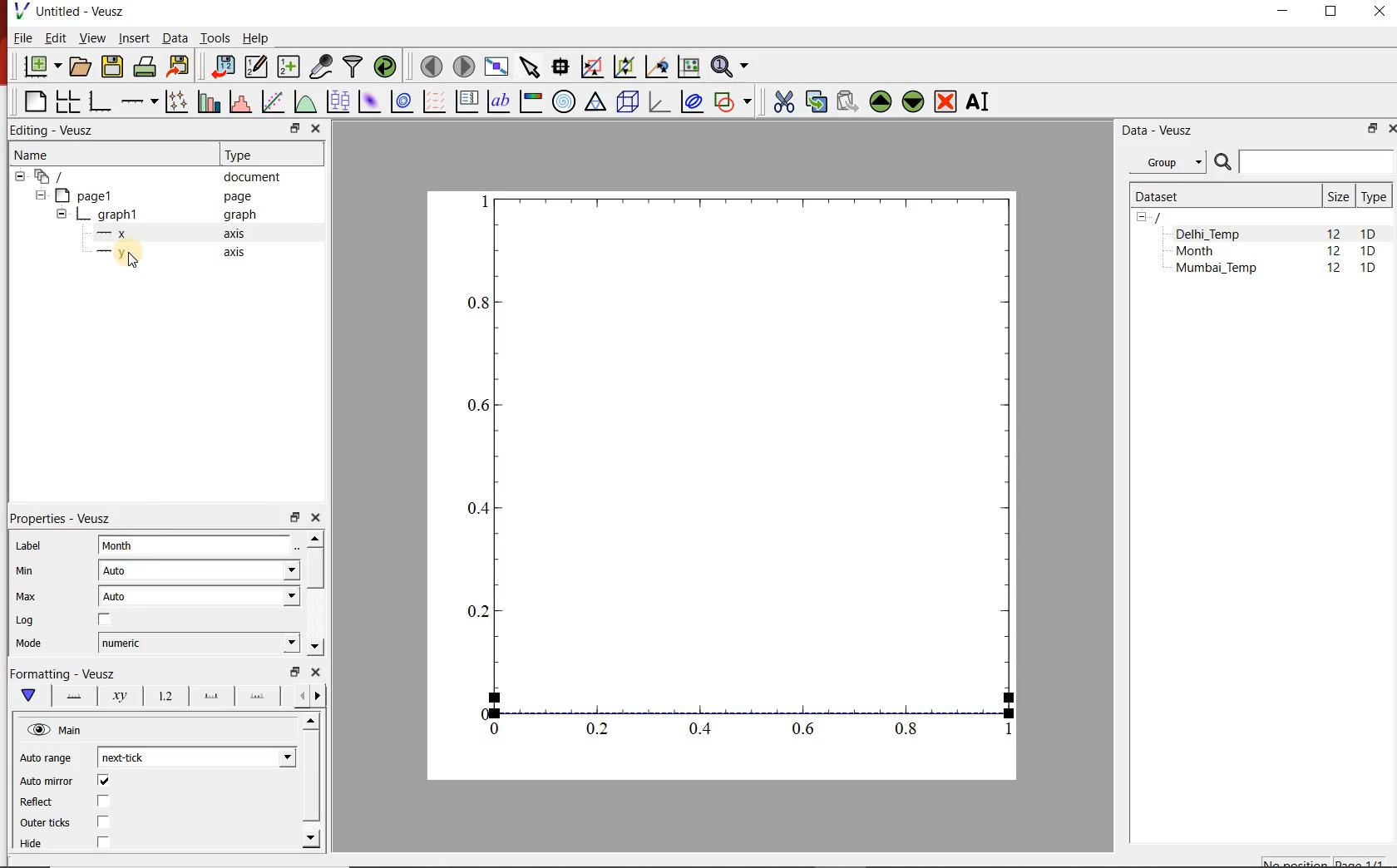  Describe the element at coordinates (133, 37) in the screenshot. I see `Insert` at that location.